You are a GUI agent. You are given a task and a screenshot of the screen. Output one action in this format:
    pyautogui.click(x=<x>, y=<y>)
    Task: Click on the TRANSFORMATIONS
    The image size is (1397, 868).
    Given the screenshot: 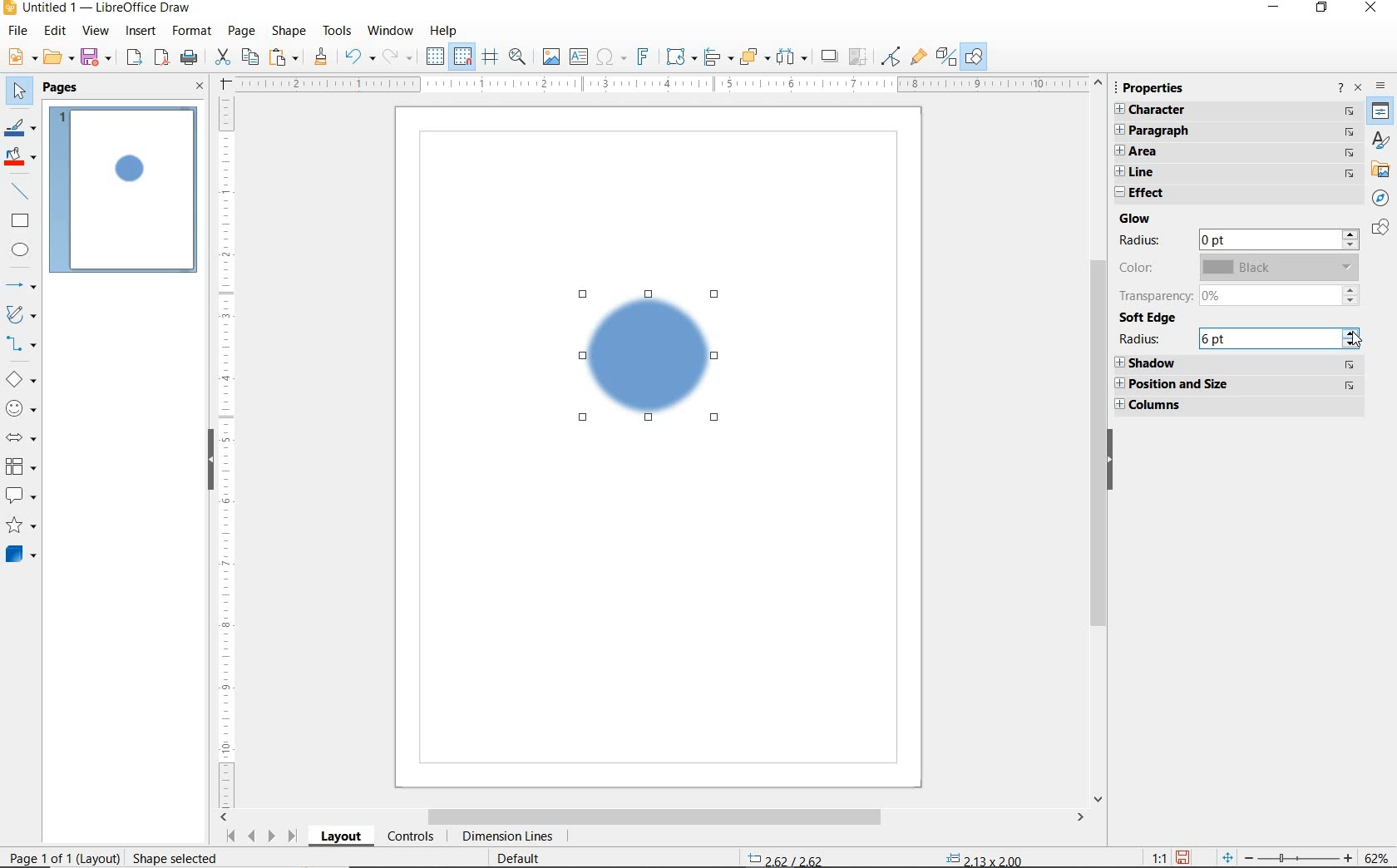 What is the action you would take?
    pyautogui.click(x=681, y=55)
    